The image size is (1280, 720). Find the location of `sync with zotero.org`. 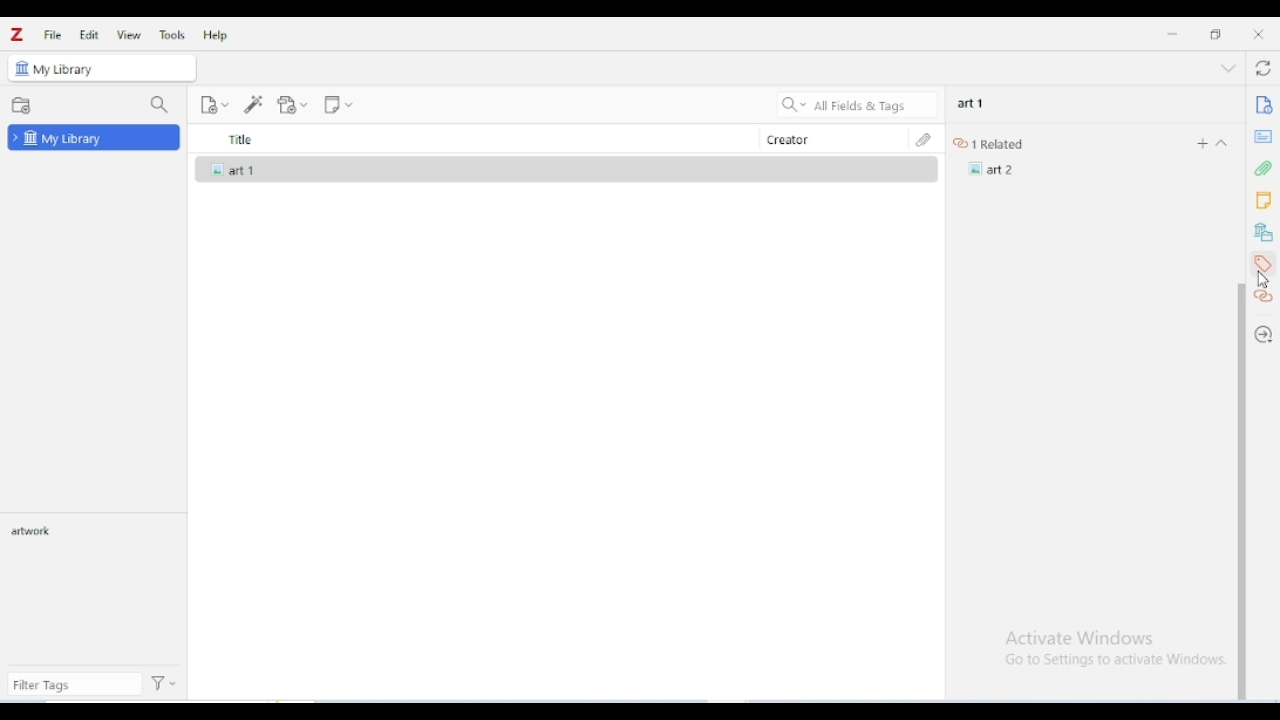

sync with zotero.org is located at coordinates (1263, 69).